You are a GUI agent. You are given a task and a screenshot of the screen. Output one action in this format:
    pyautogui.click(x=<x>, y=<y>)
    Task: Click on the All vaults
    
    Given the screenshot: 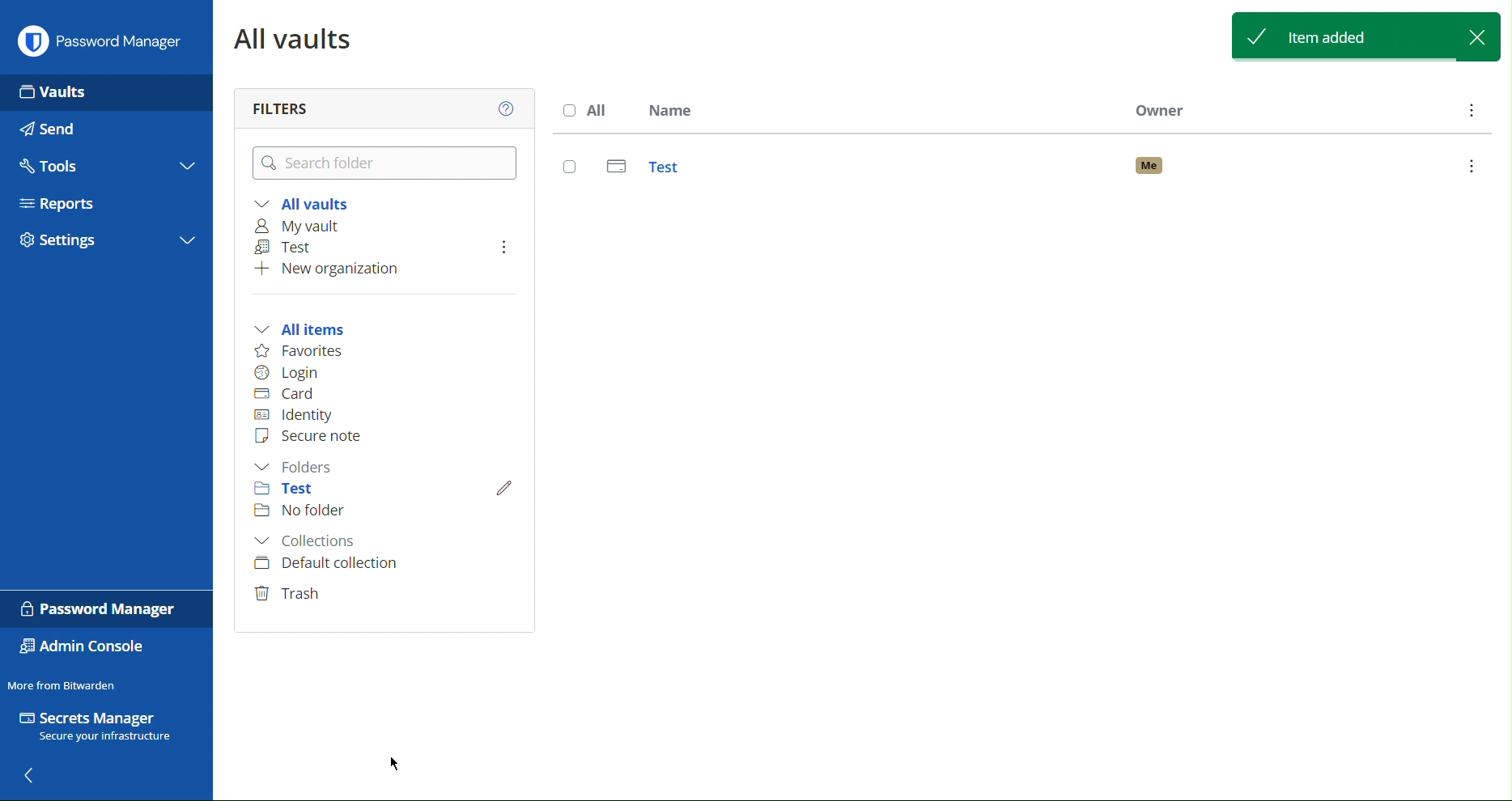 What is the action you would take?
    pyautogui.click(x=306, y=201)
    